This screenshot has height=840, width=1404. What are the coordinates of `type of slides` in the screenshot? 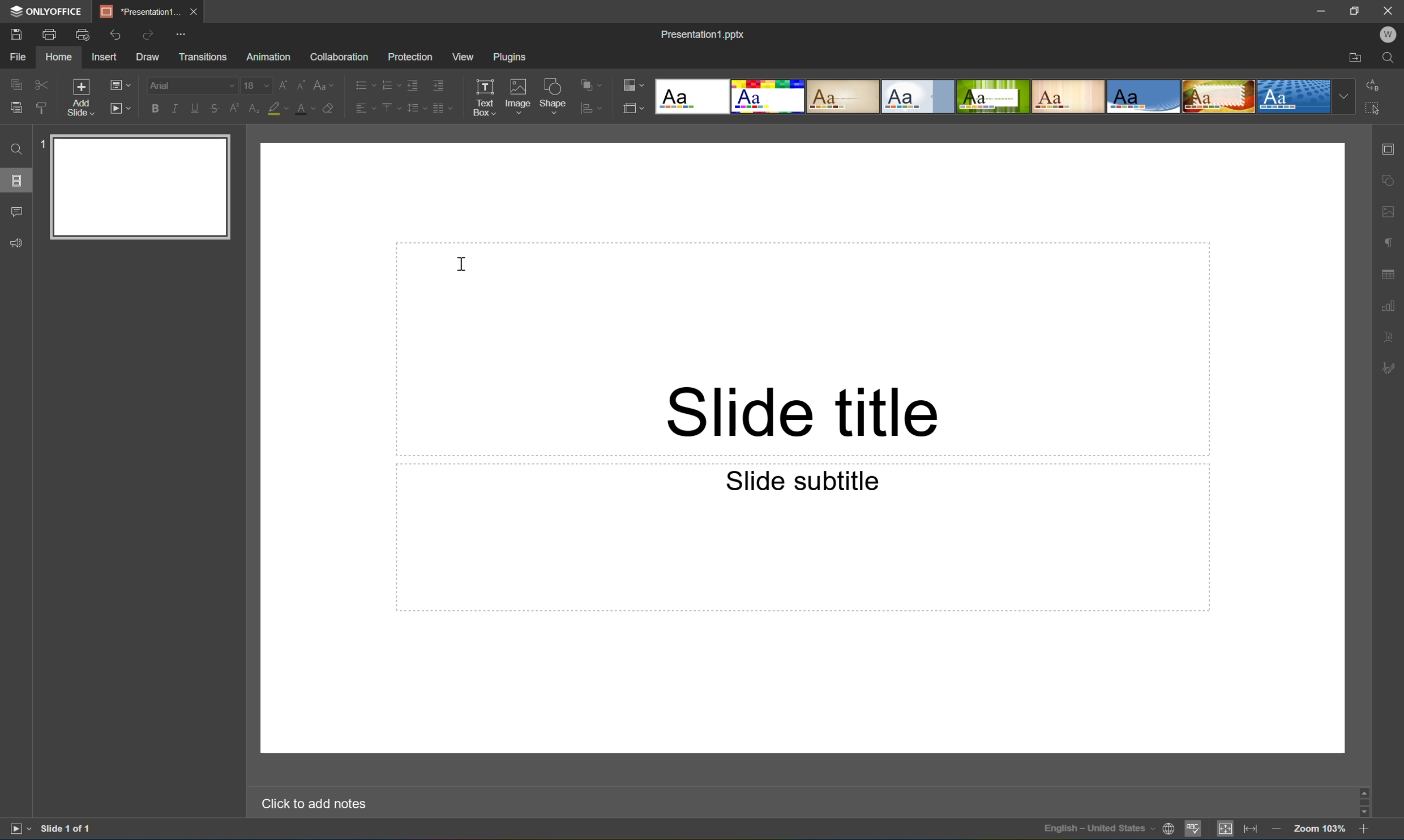 It's located at (1007, 96).